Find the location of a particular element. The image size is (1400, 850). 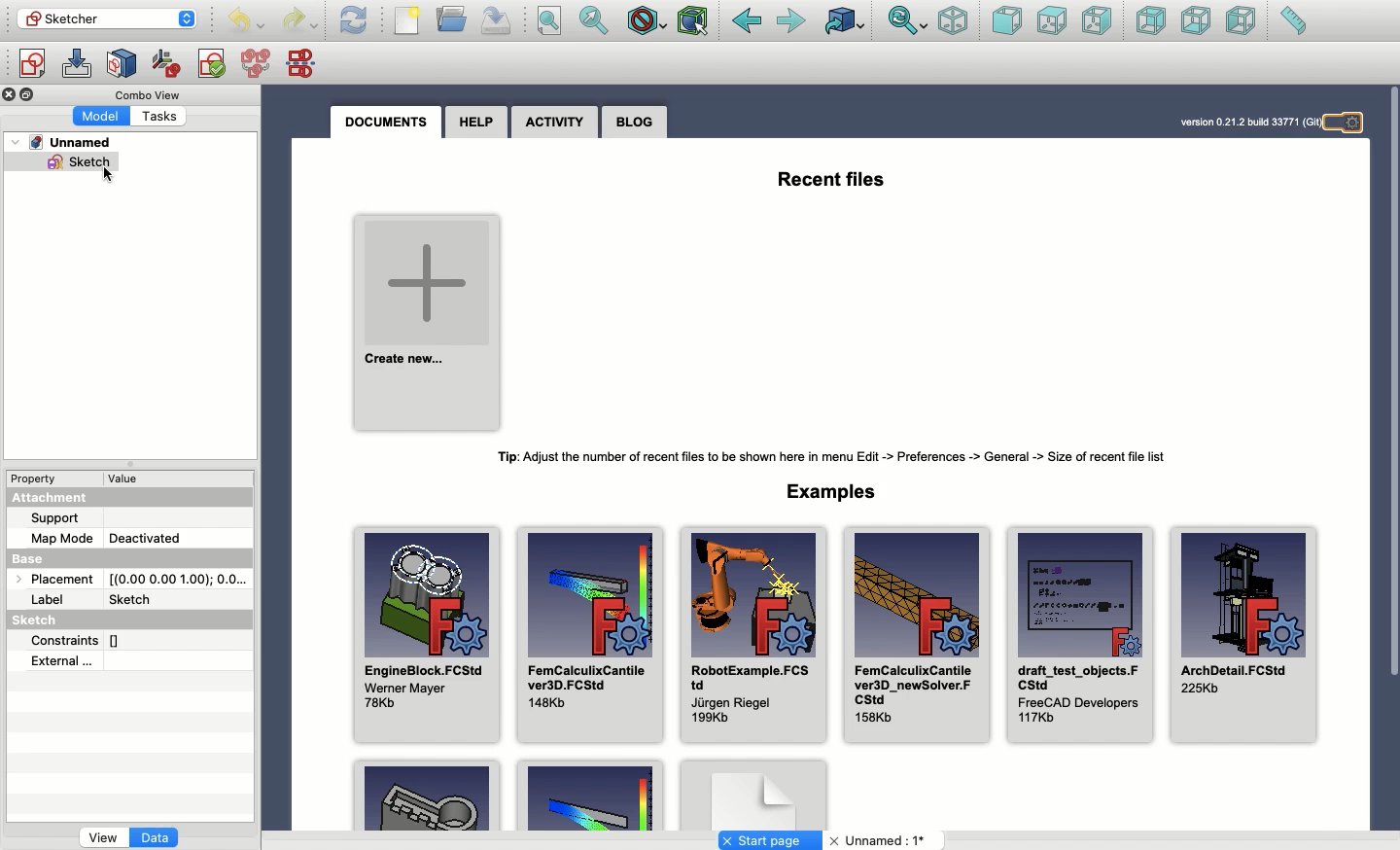

(0.00 0.00 1.00); 0.0... is located at coordinates (179, 575).